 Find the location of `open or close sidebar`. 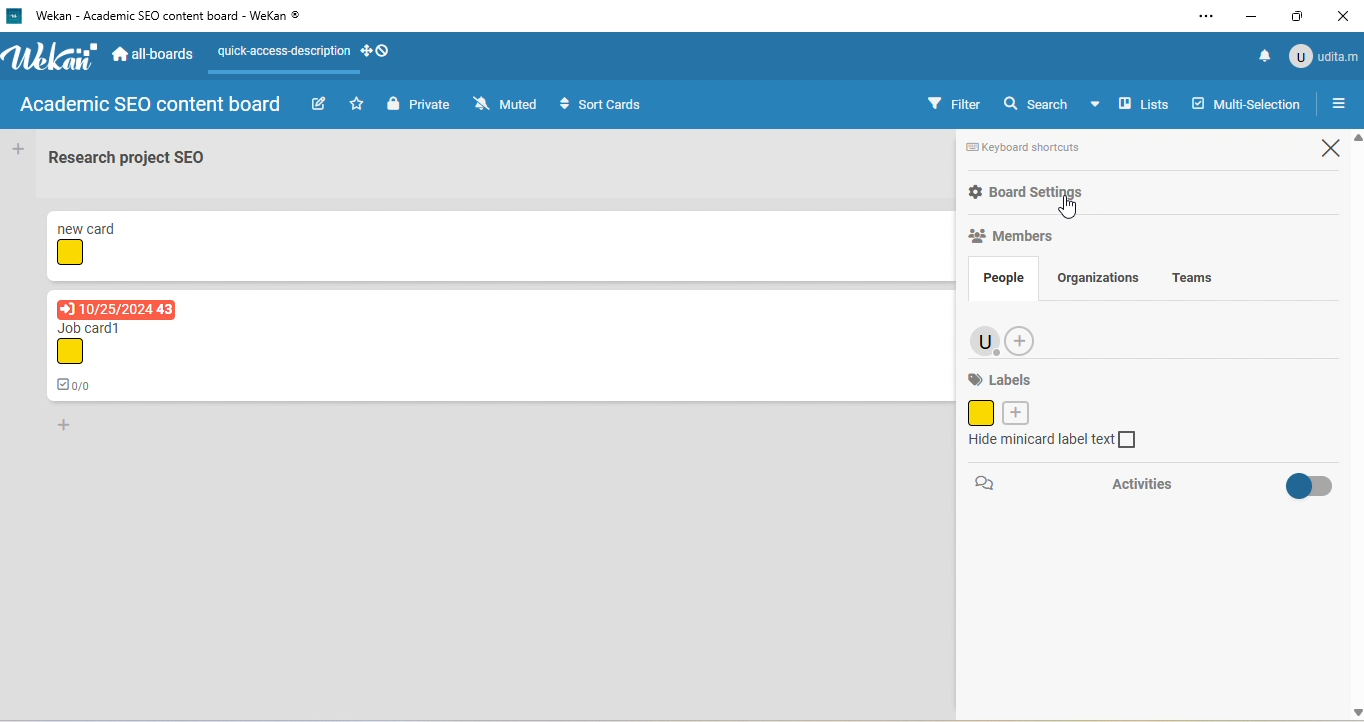

open or close sidebar is located at coordinates (1337, 104).